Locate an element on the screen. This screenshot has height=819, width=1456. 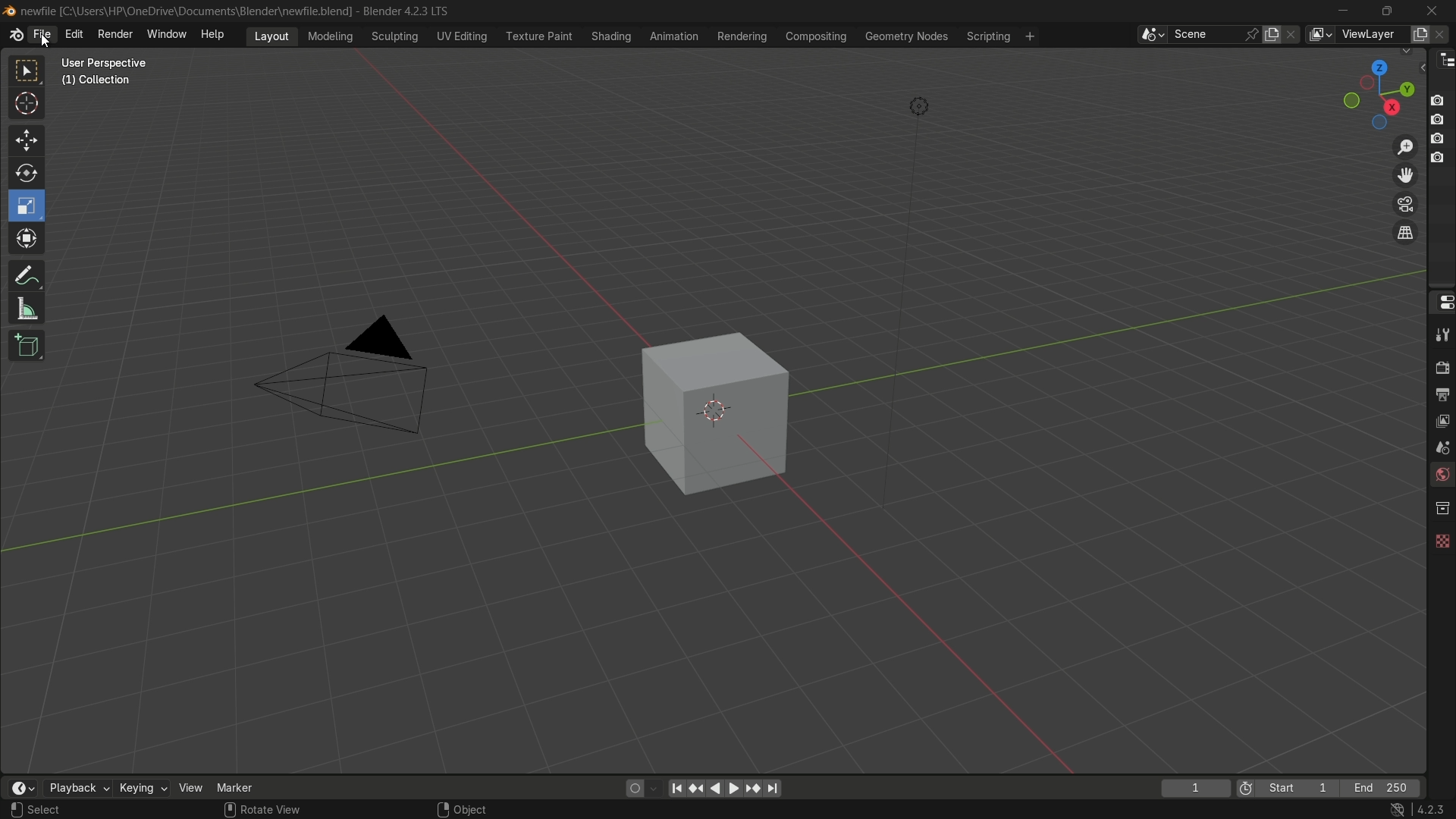
auto keyframe is located at coordinates (654, 788).